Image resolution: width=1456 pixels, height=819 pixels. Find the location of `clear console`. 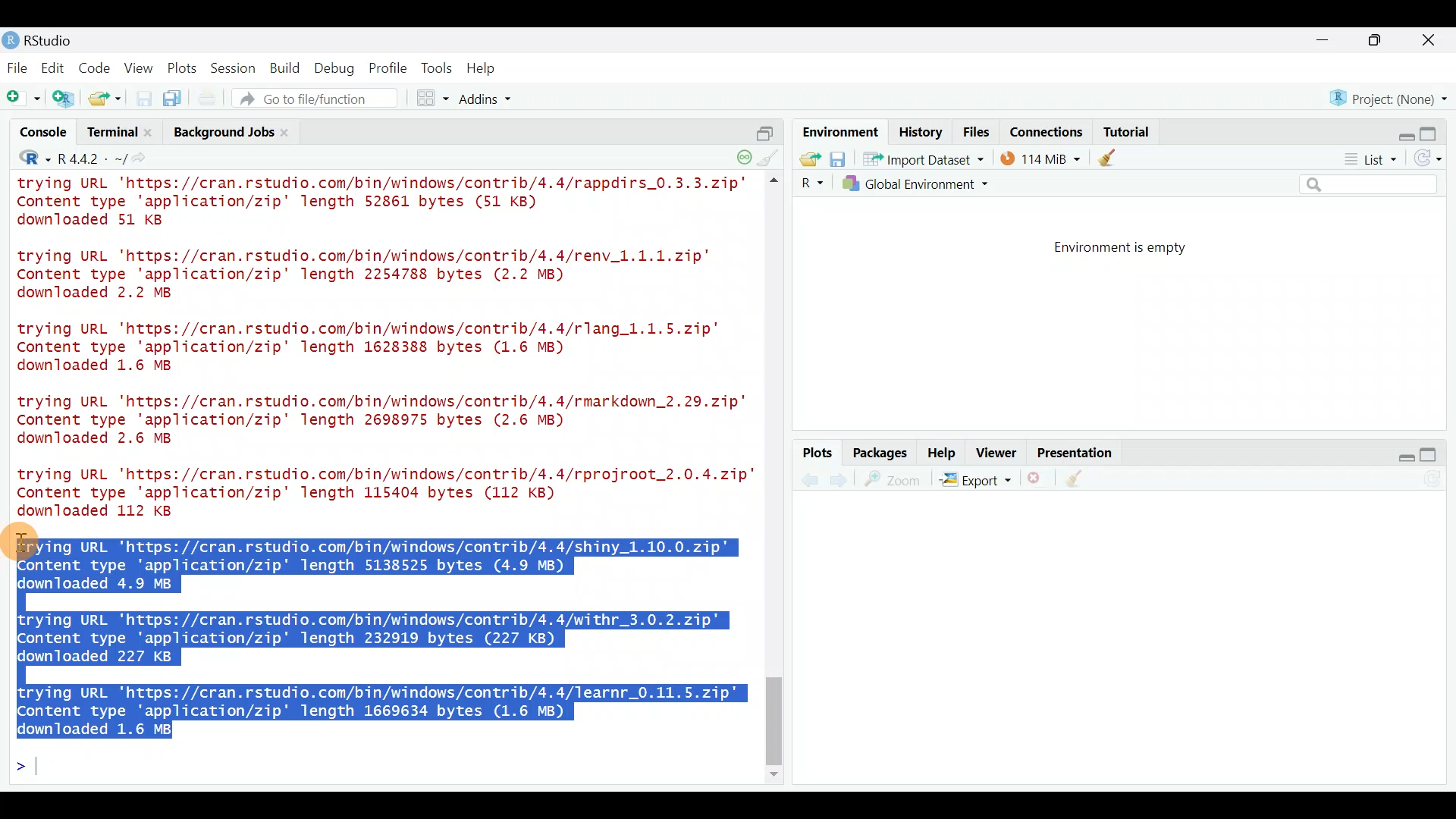

clear console is located at coordinates (770, 156).